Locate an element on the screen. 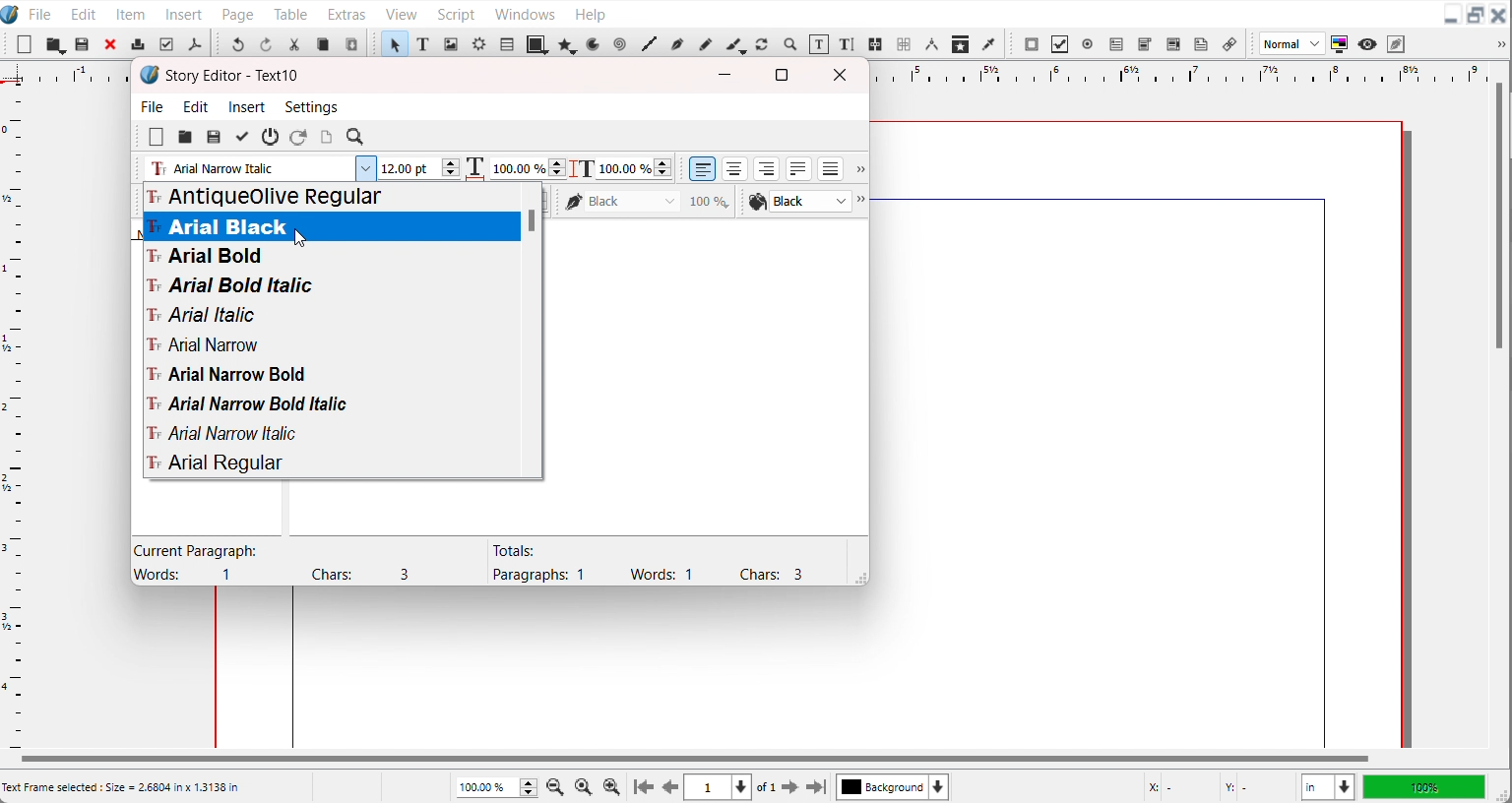  Edit content with frame is located at coordinates (819, 44).